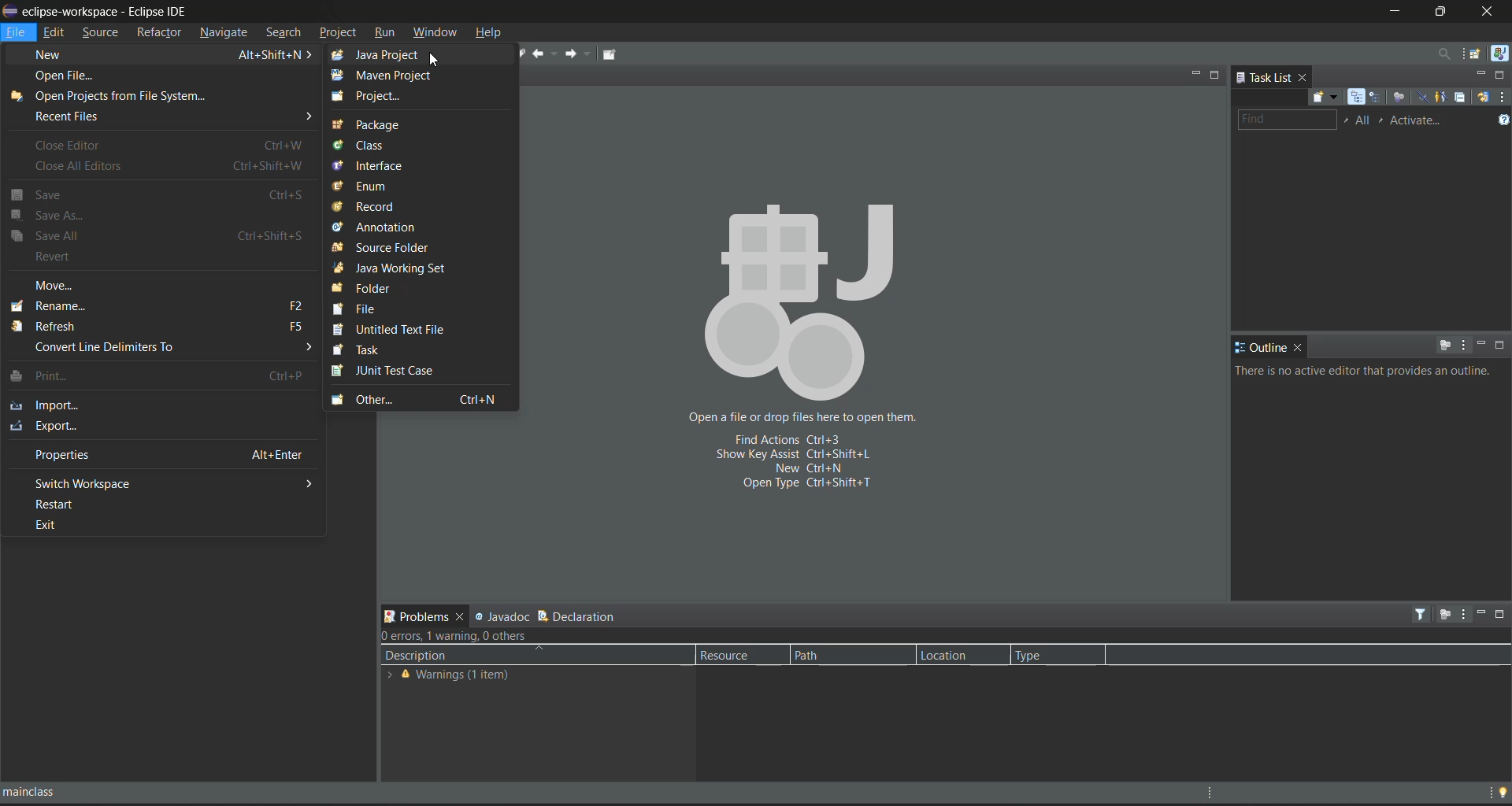 This screenshot has width=1512, height=806. Describe the element at coordinates (805, 656) in the screenshot. I see `Path` at that location.